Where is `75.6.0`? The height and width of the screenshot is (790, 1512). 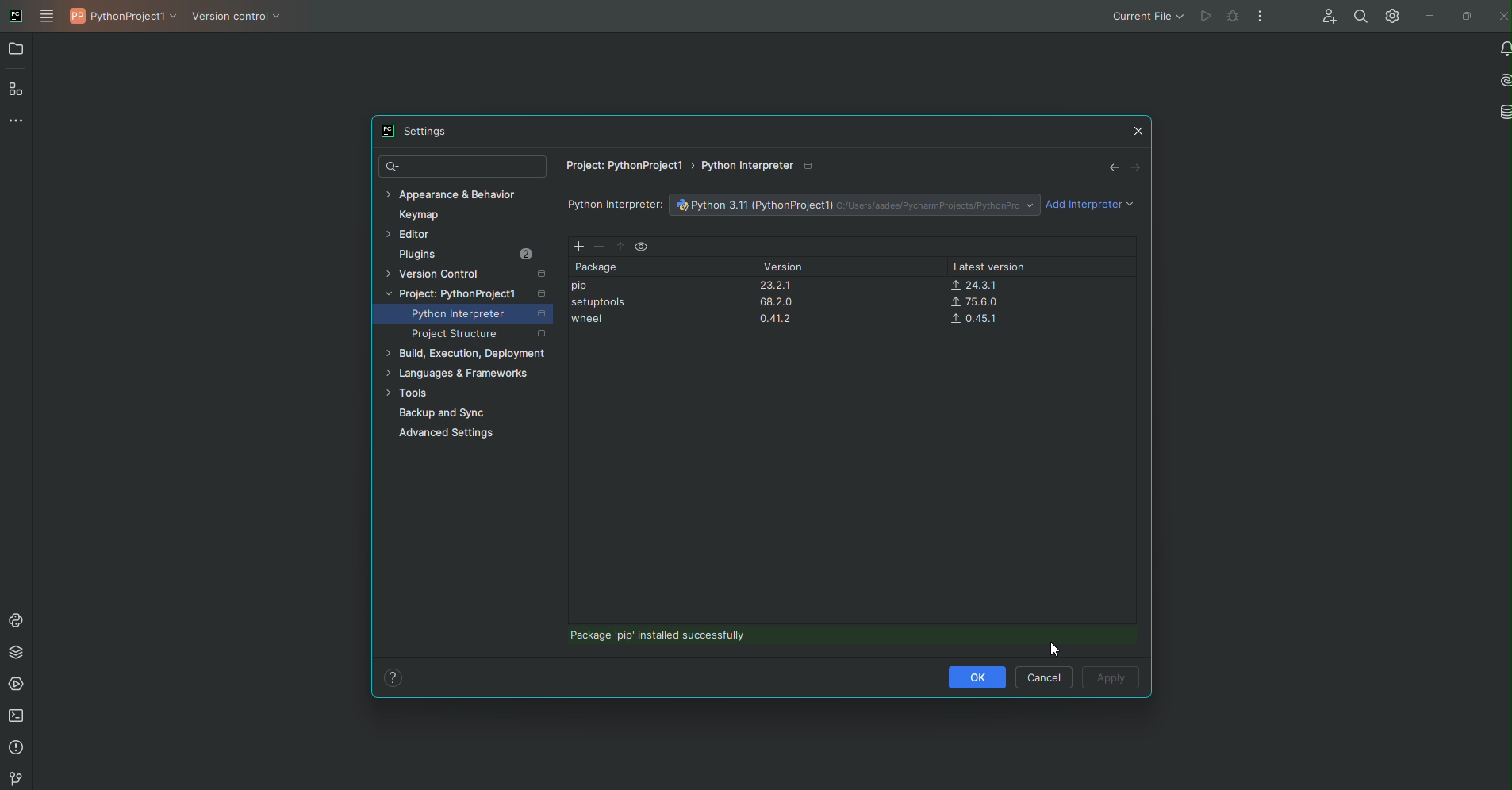 75.6.0 is located at coordinates (976, 302).